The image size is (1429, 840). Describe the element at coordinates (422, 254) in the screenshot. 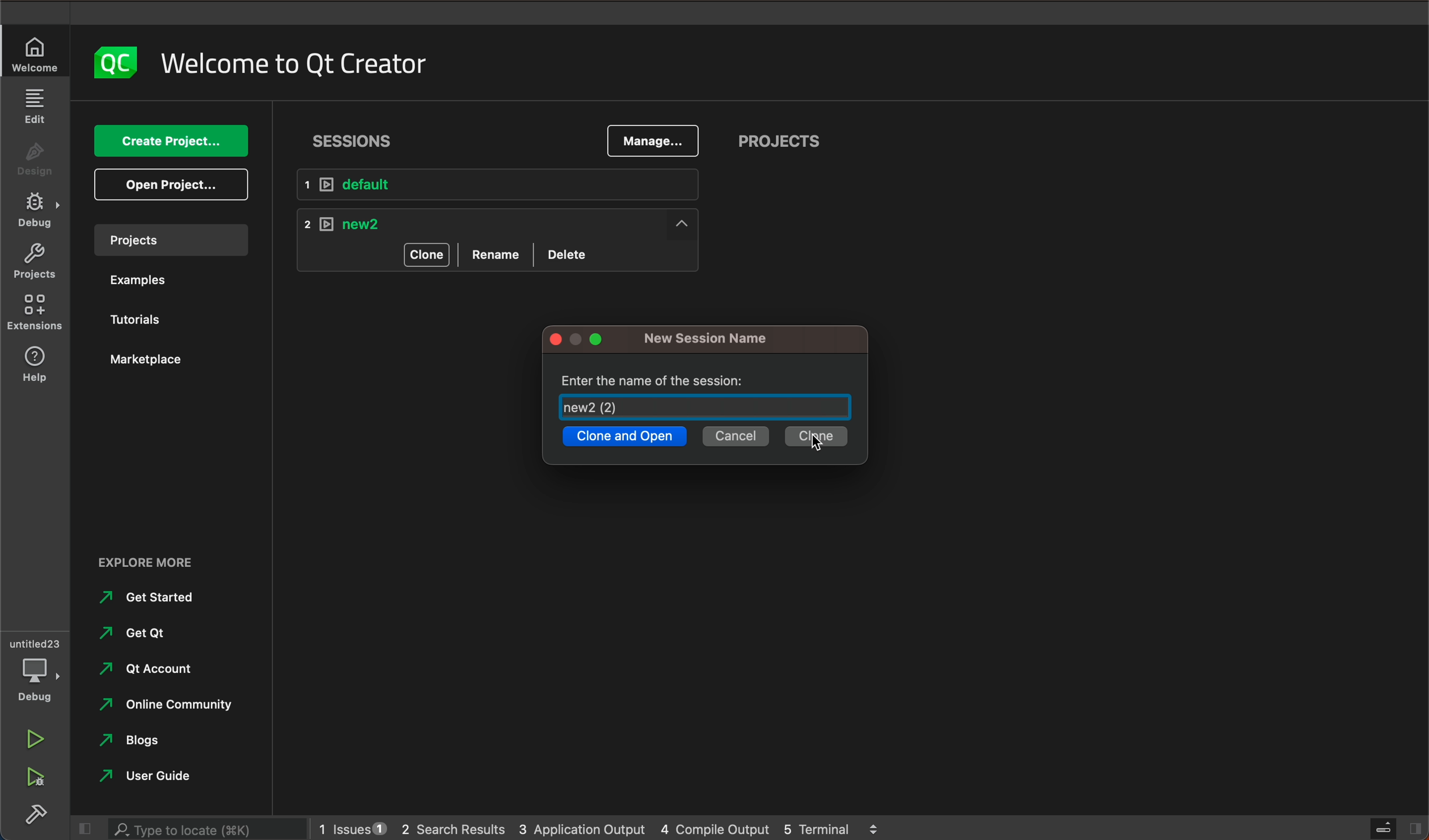

I see `clone` at that location.